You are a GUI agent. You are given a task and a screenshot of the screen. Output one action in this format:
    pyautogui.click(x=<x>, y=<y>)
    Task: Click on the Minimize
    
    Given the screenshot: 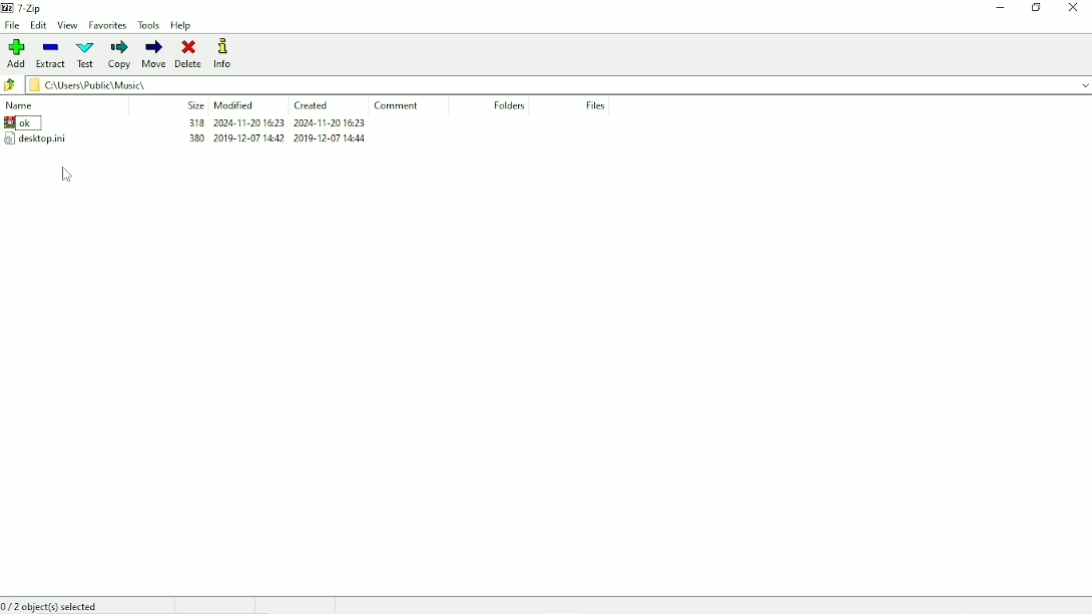 What is the action you would take?
    pyautogui.click(x=1001, y=8)
    